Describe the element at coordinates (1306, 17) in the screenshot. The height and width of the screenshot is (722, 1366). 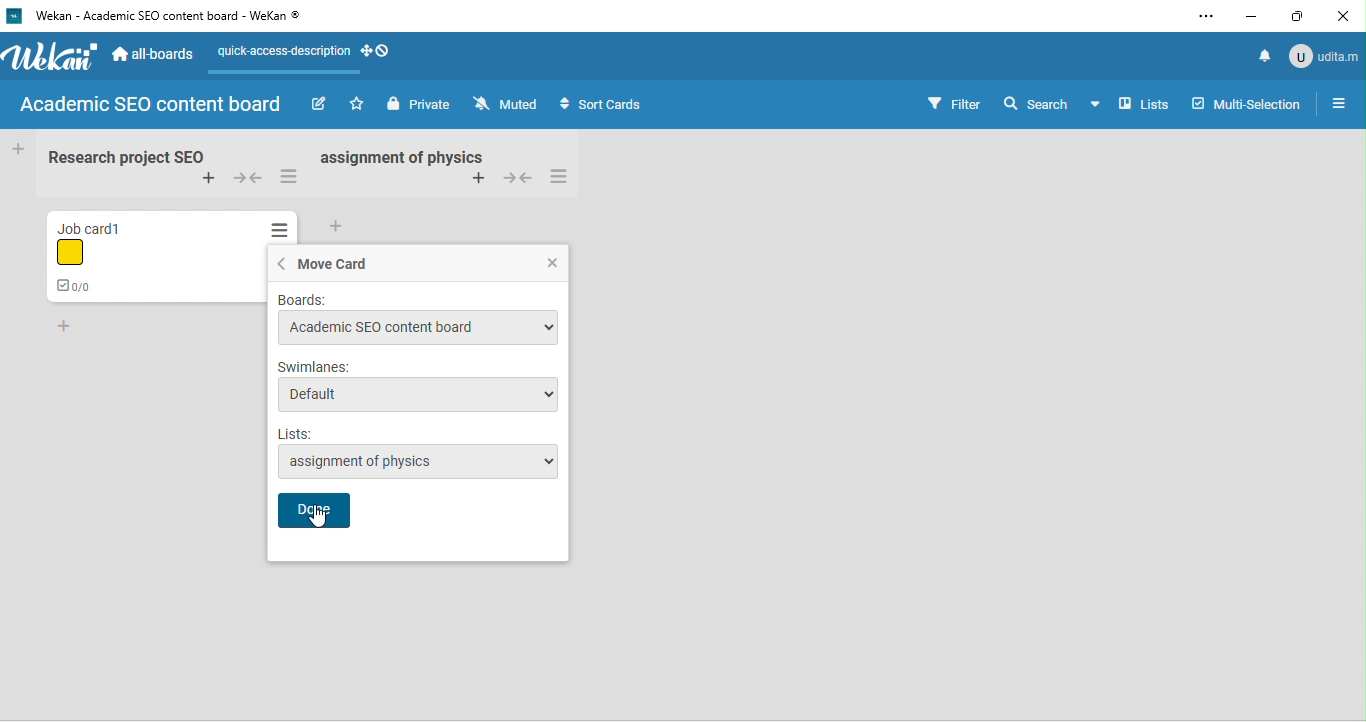
I see `maximize` at that location.